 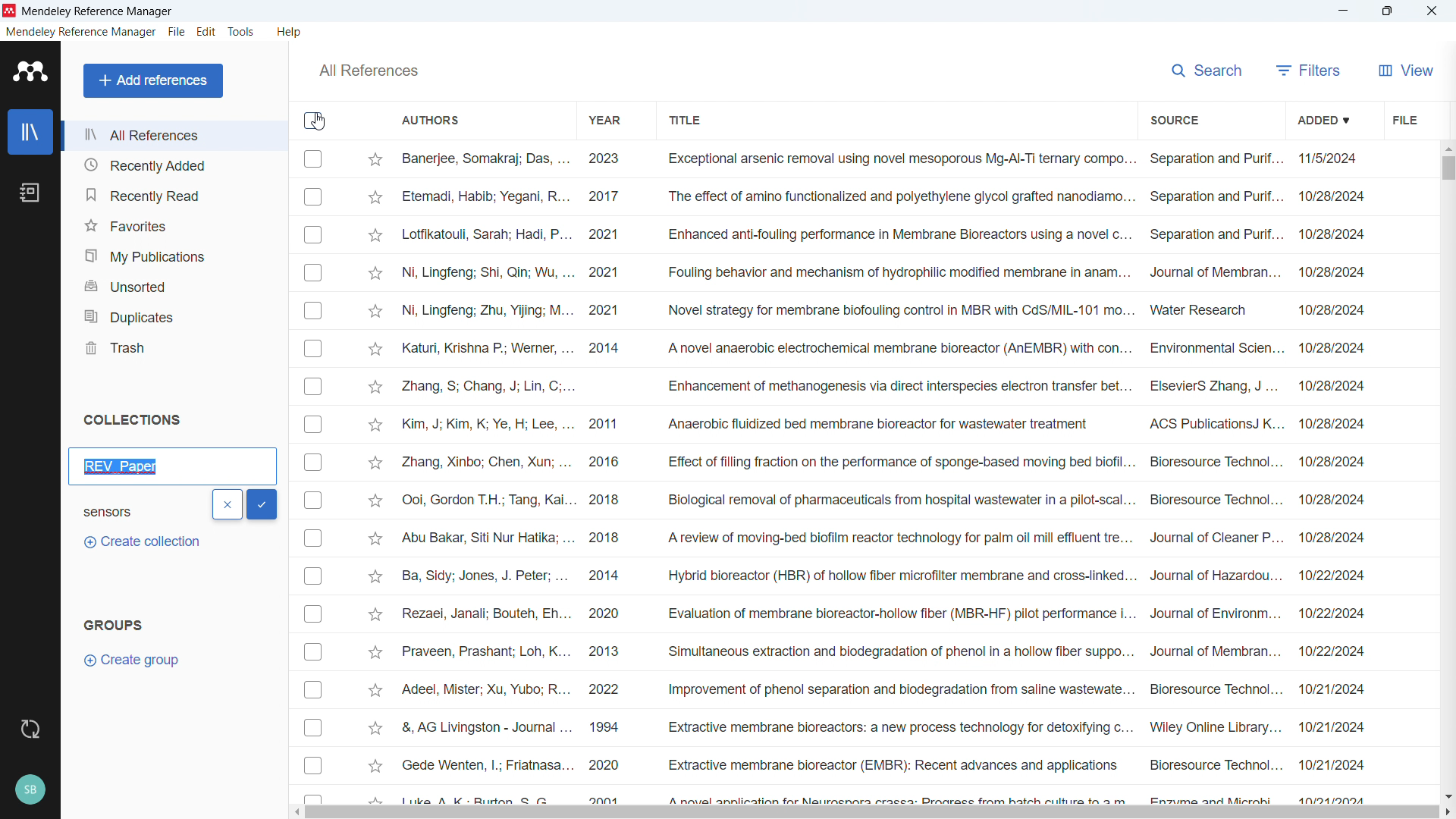 I want to click on Abu Bakar, Siti Nur Hatika; ... 2018 A review of moving-bed biofilm reactor technology for palm oil mill effluent tre... Journal of Cleaner P... 10/28/2024, so click(x=883, y=537).